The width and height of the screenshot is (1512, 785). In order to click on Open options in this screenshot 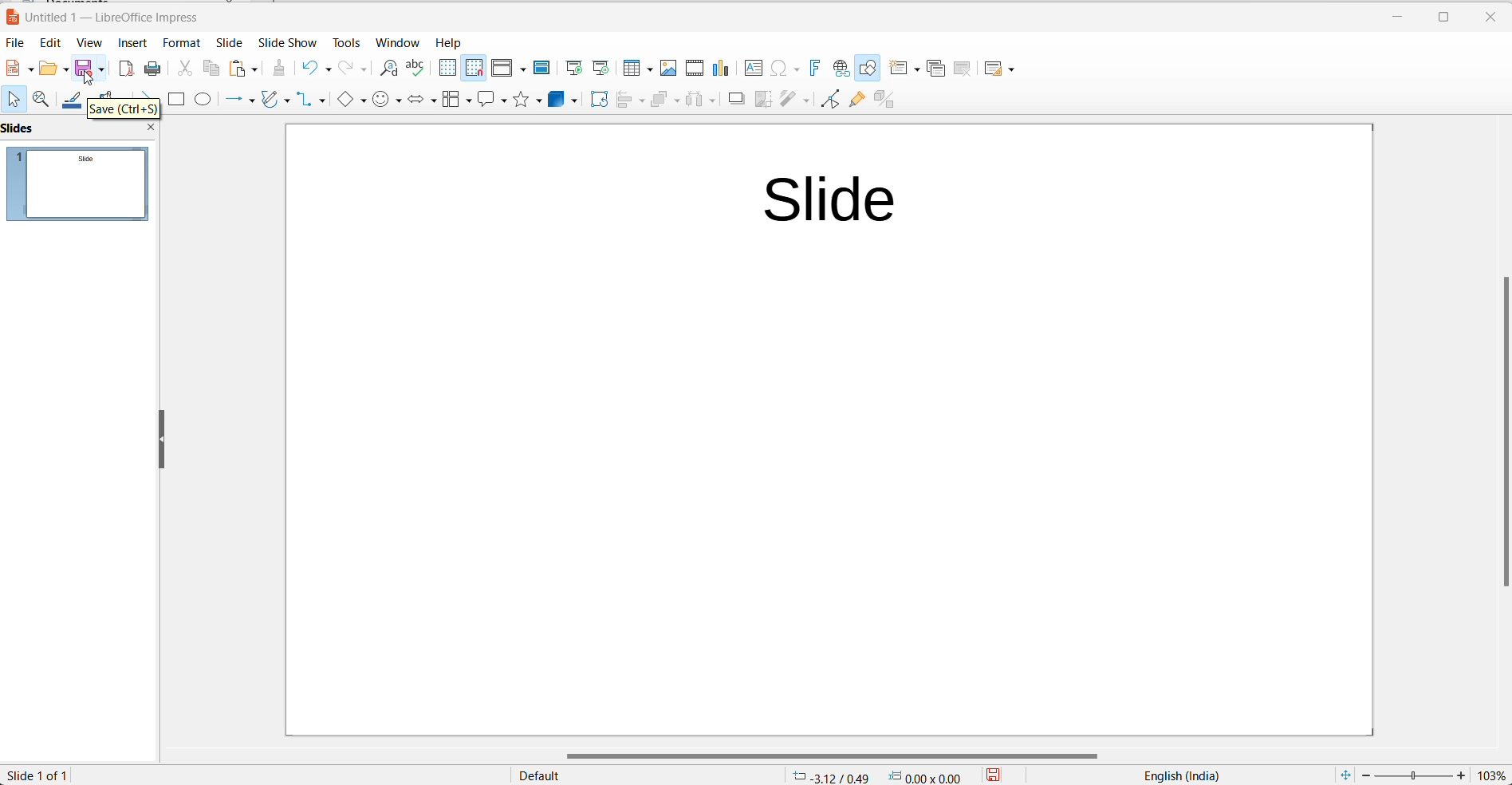, I will do `click(54, 69)`.